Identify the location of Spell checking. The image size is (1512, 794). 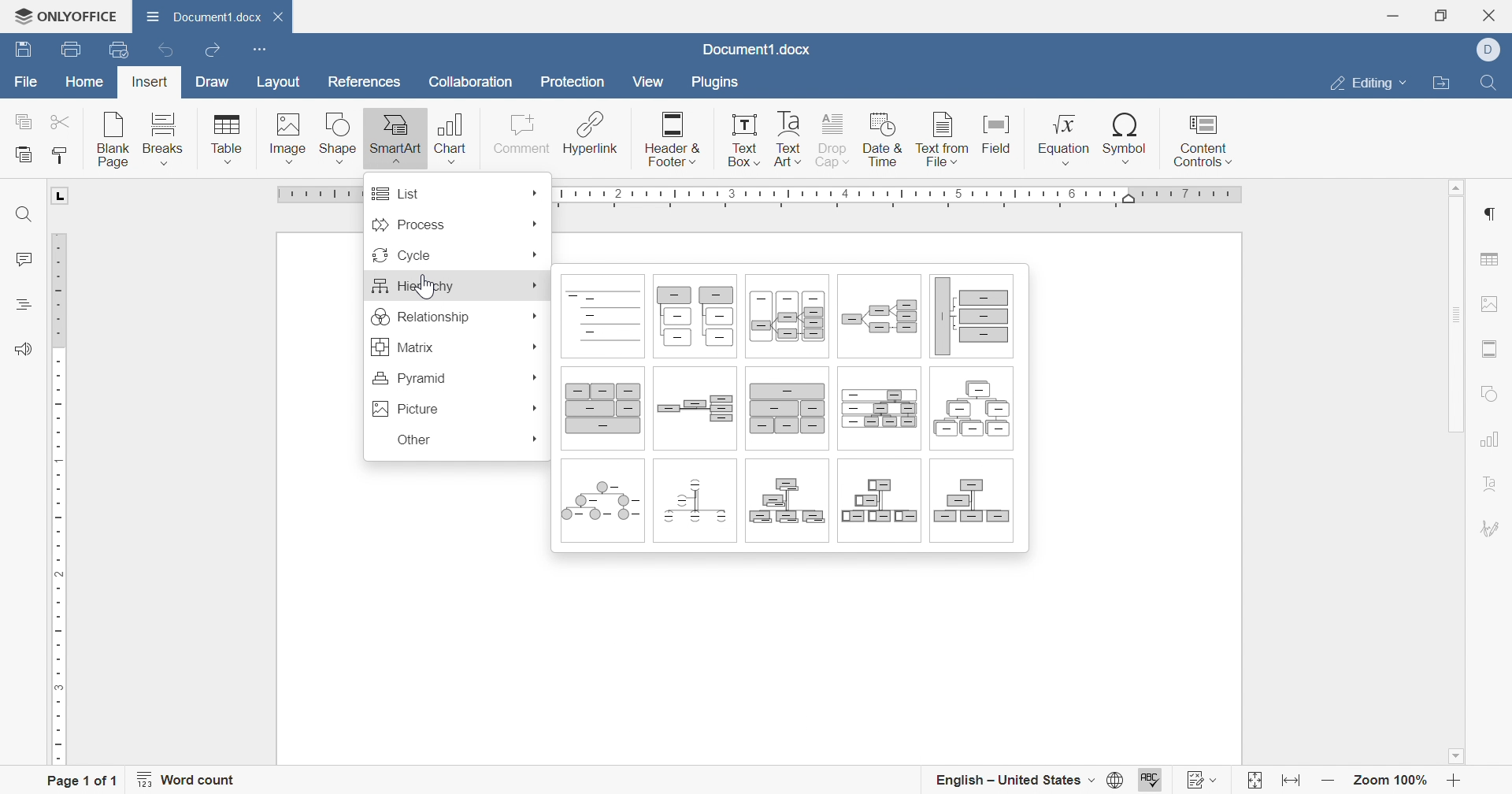
(1151, 778).